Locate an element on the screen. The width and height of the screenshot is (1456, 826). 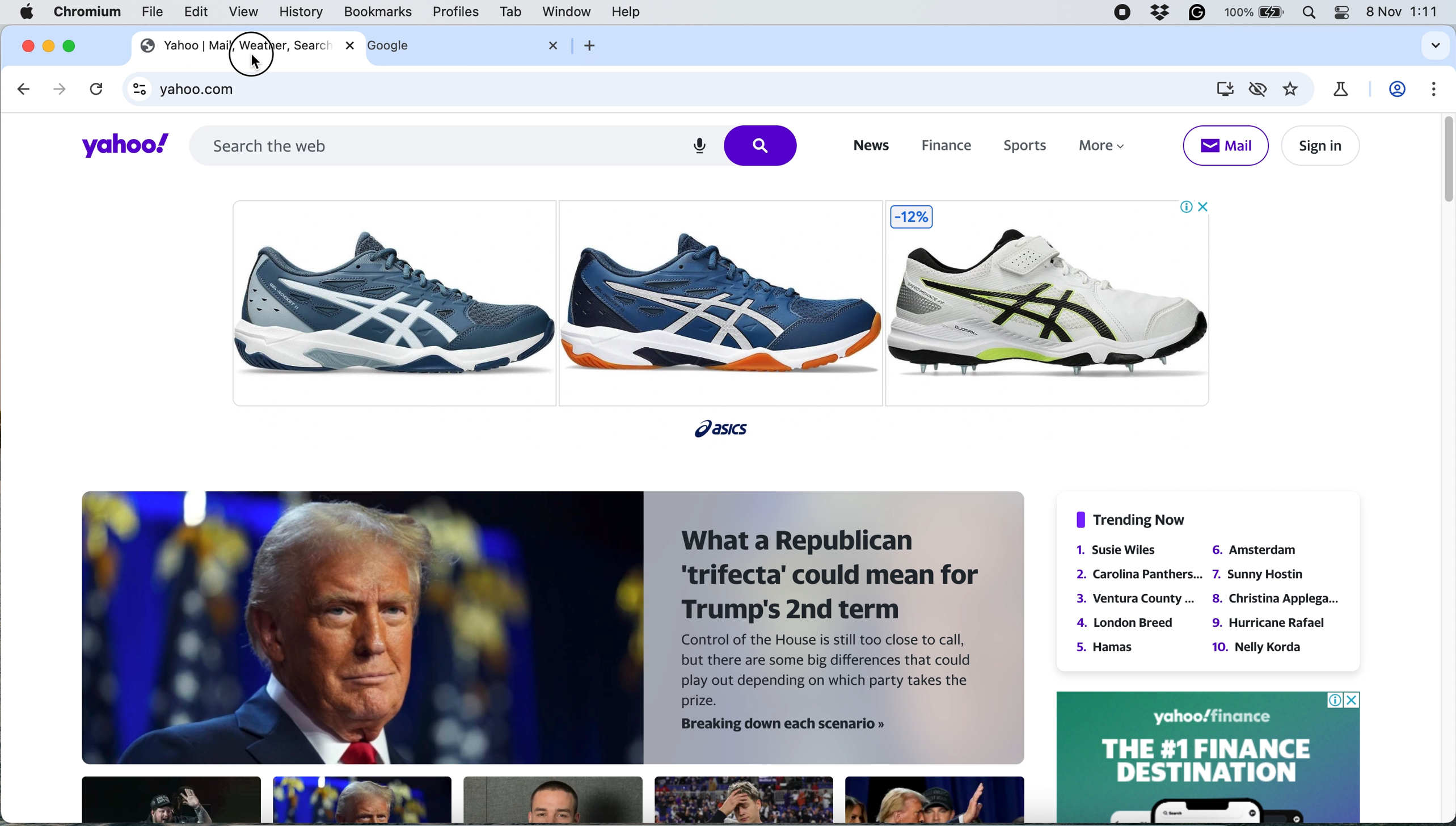
refresh is located at coordinates (99, 91).